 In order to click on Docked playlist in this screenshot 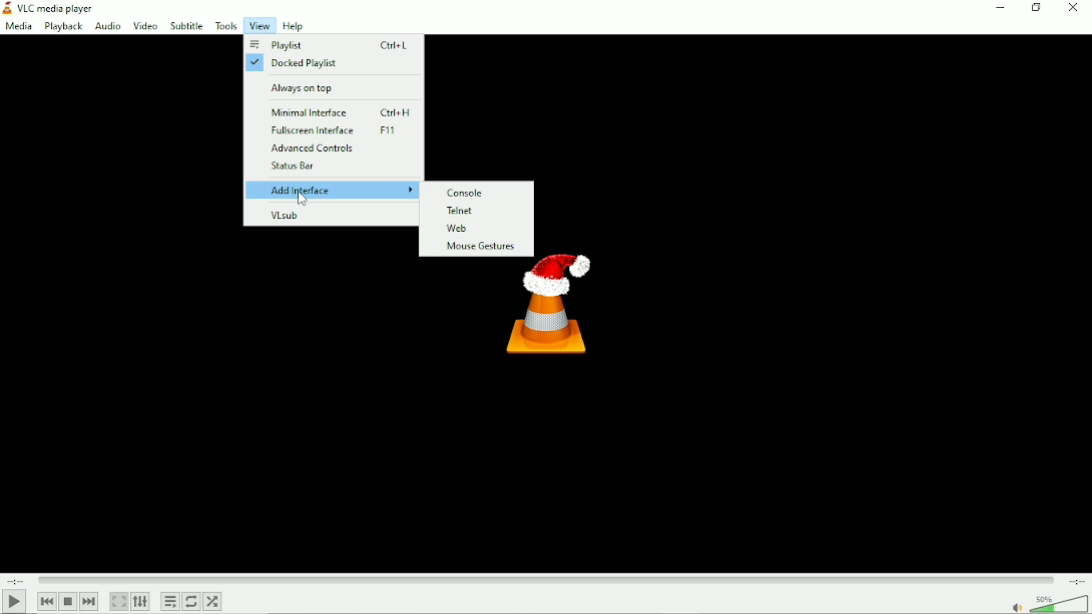, I will do `click(329, 65)`.